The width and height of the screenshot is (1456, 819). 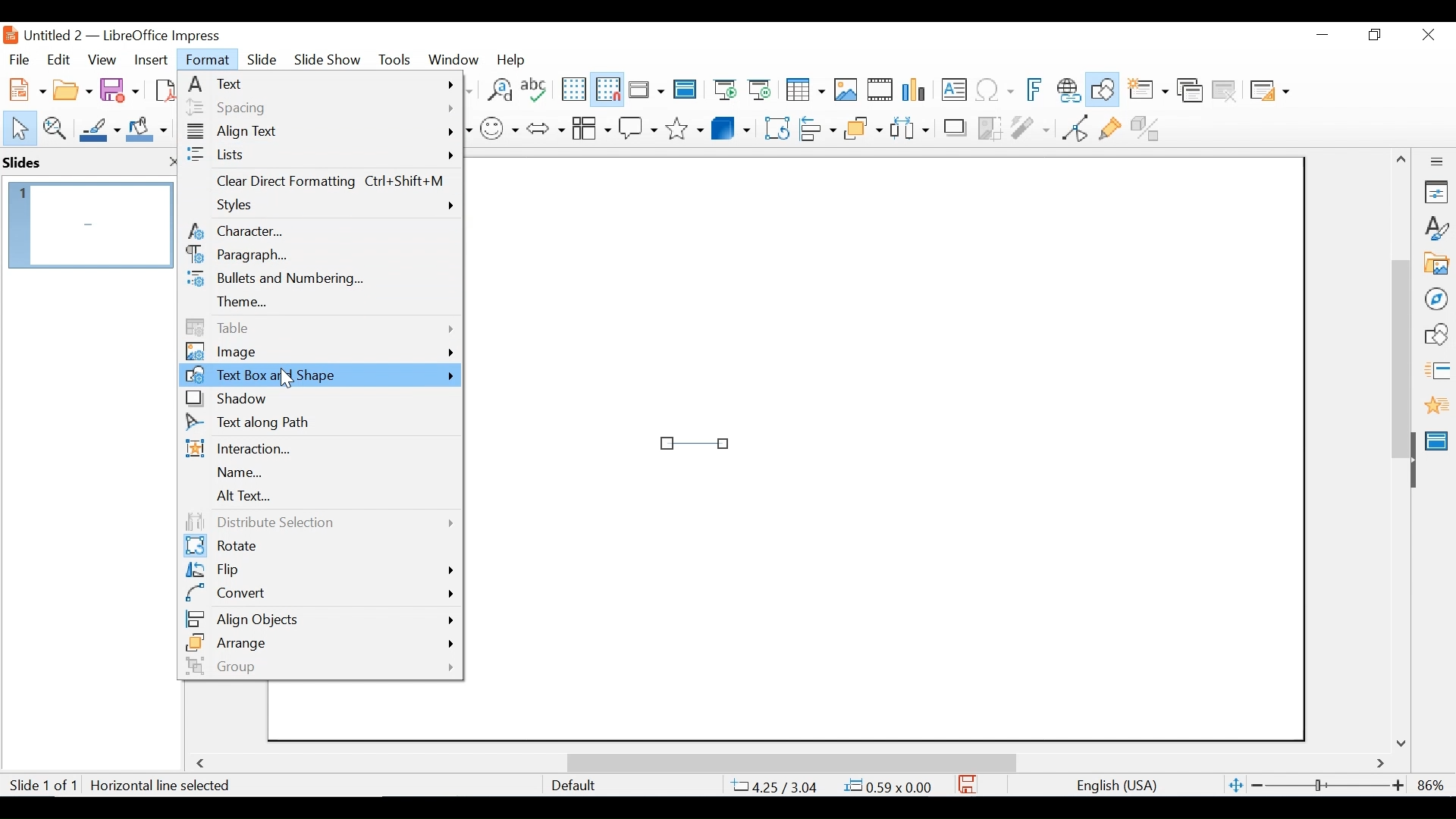 I want to click on Slide, so click(x=262, y=58).